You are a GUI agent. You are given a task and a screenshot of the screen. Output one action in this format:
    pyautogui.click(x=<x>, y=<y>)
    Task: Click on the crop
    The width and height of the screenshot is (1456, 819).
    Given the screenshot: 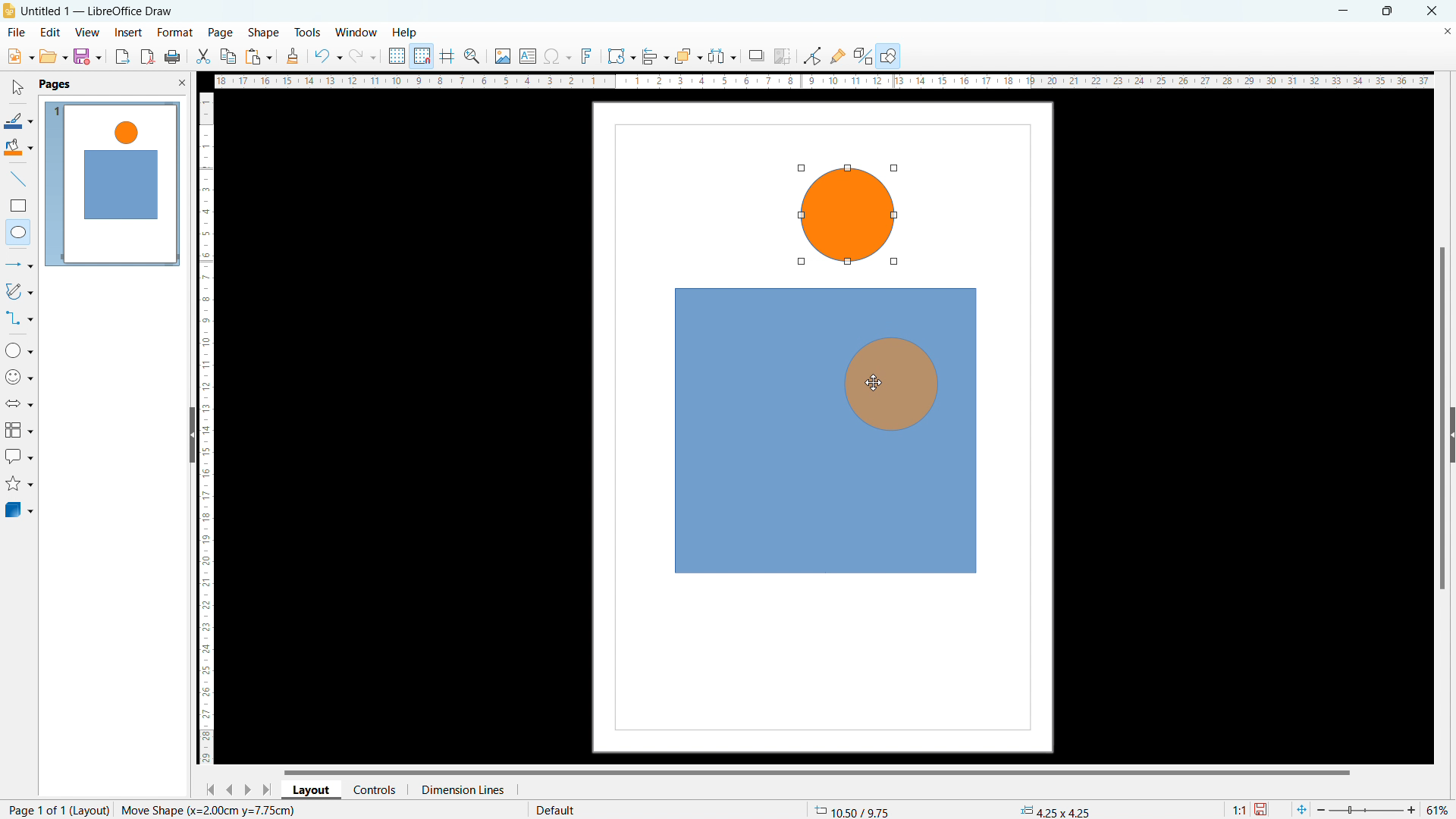 What is the action you would take?
    pyautogui.click(x=783, y=56)
    